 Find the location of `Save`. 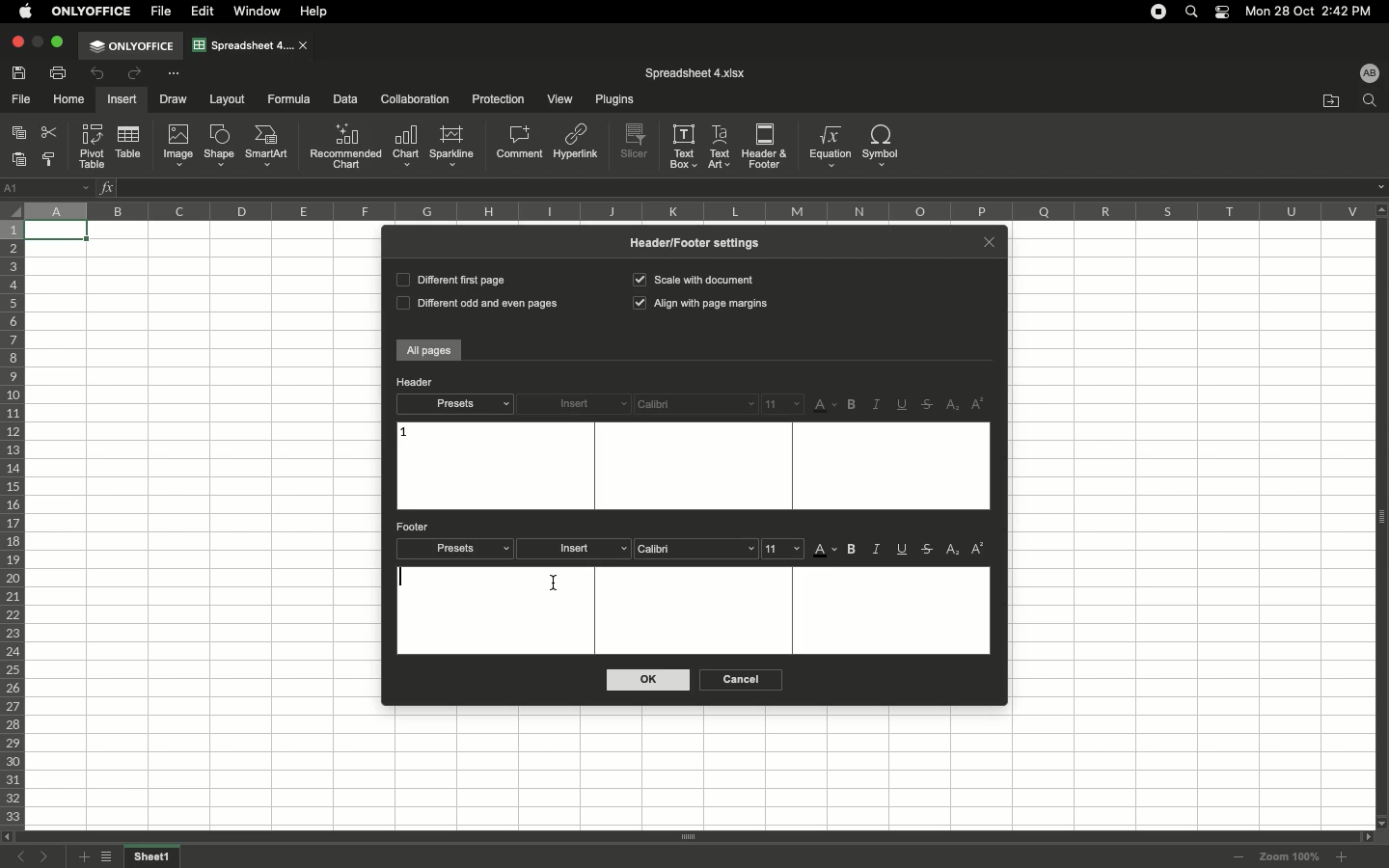

Save is located at coordinates (22, 72).